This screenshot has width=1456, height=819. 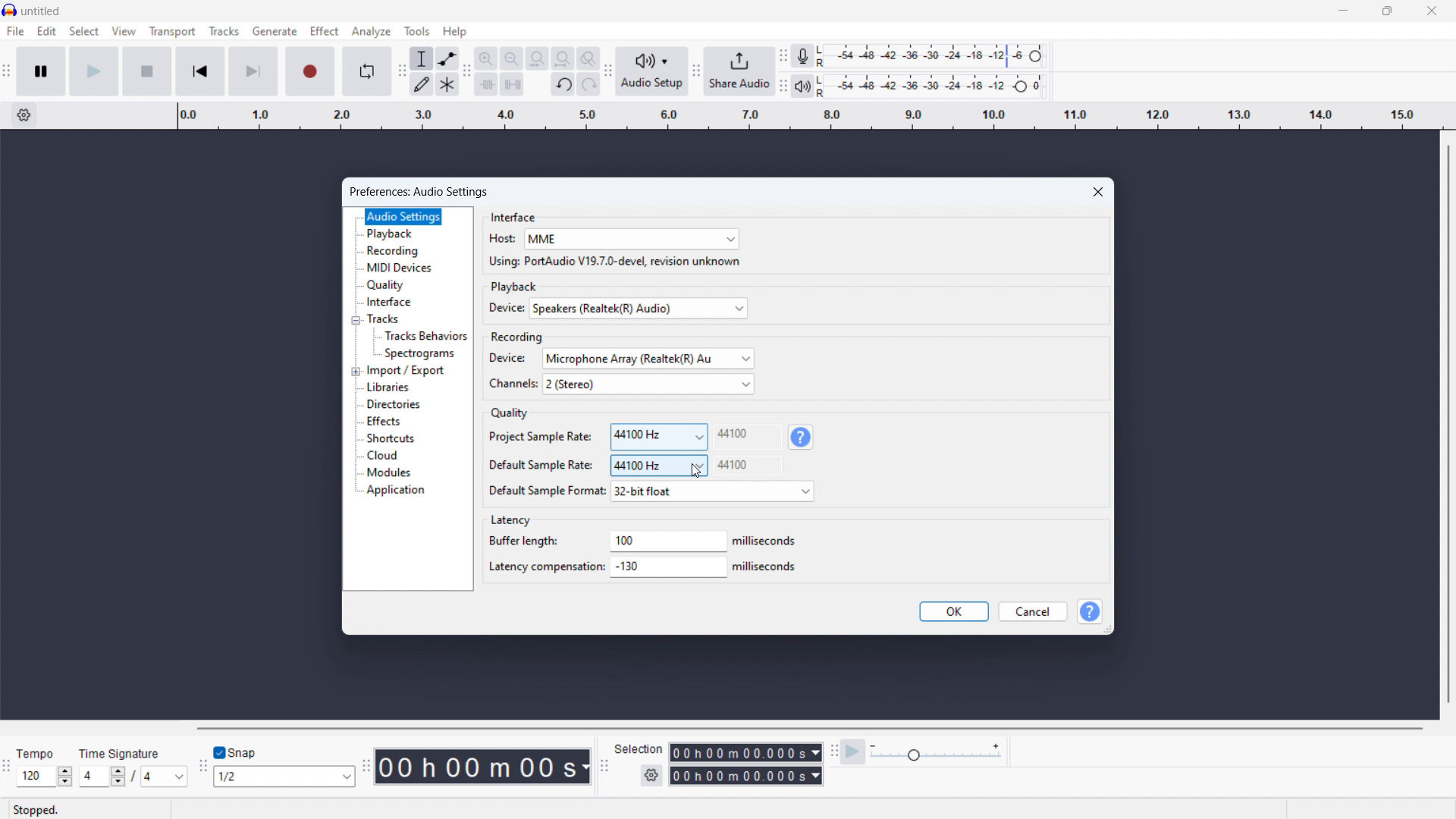 What do you see at coordinates (200, 71) in the screenshot?
I see `skip to start` at bounding box center [200, 71].